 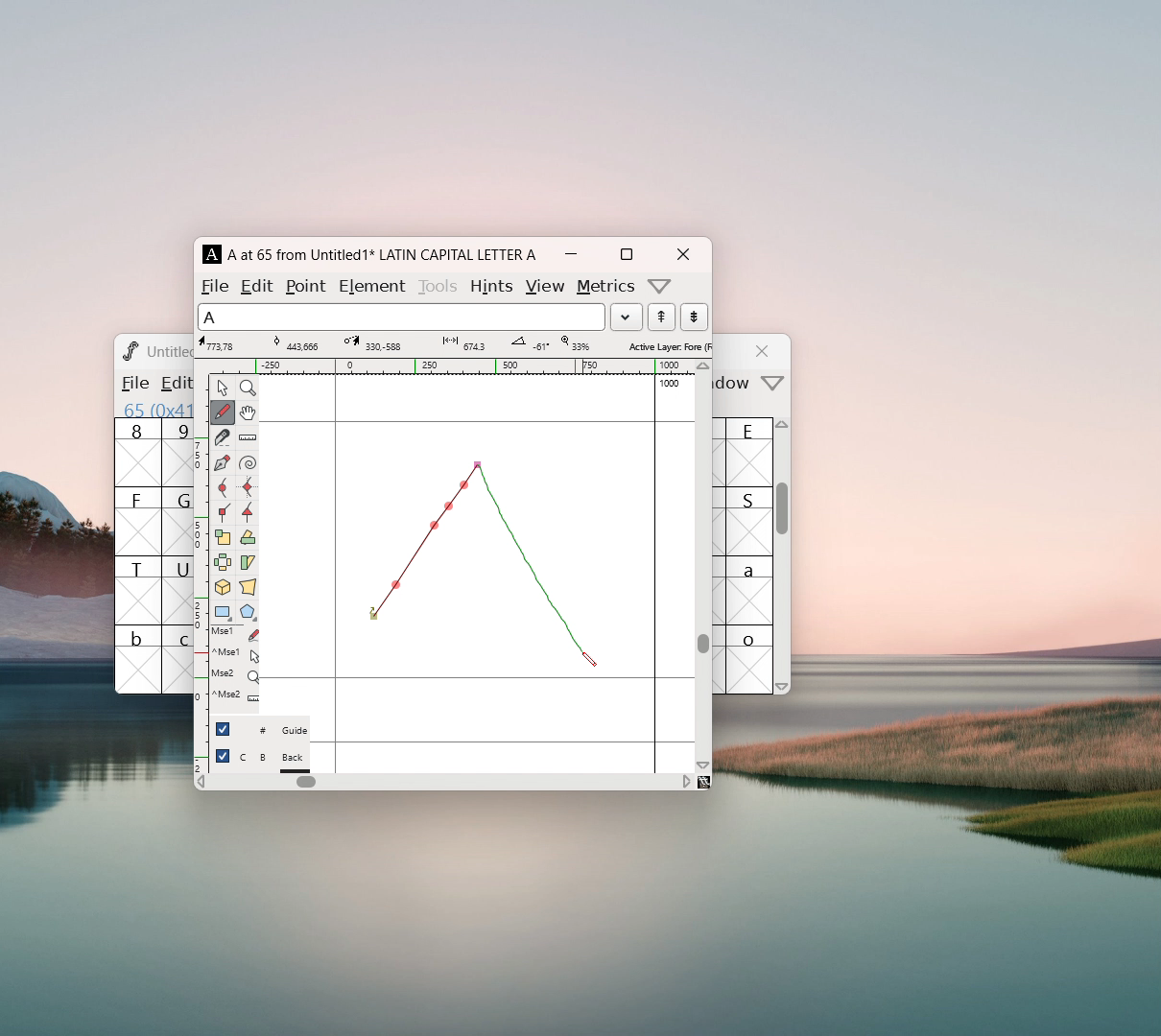 What do you see at coordinates (273, 731) in the screenshot?
I see `# Guide` at bounding box center [273, 731].